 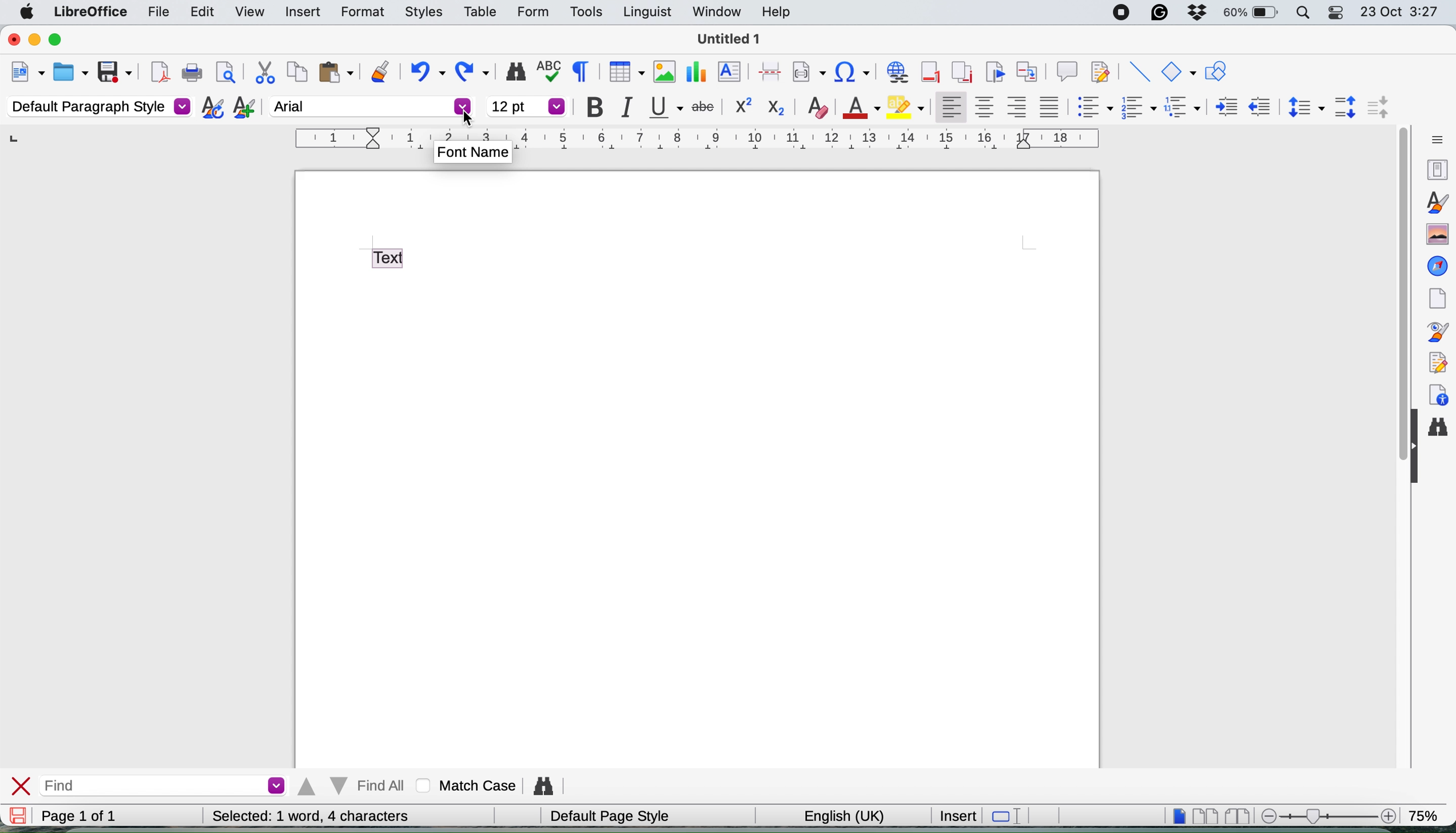 I want to click on insert line, so click(x=1139, y=72).